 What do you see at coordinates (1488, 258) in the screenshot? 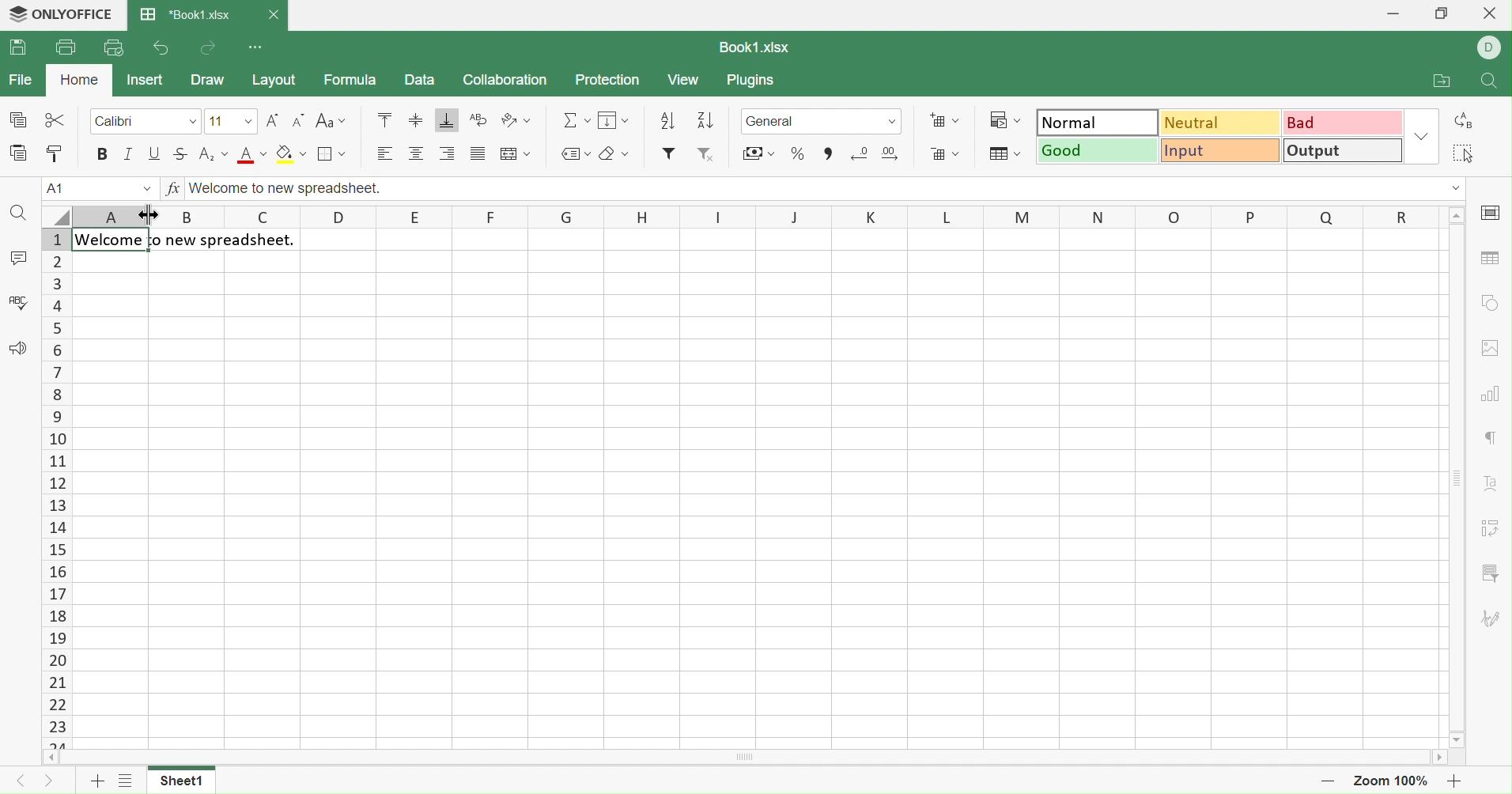
I see `table settings` at bounding box center [1488, 258].